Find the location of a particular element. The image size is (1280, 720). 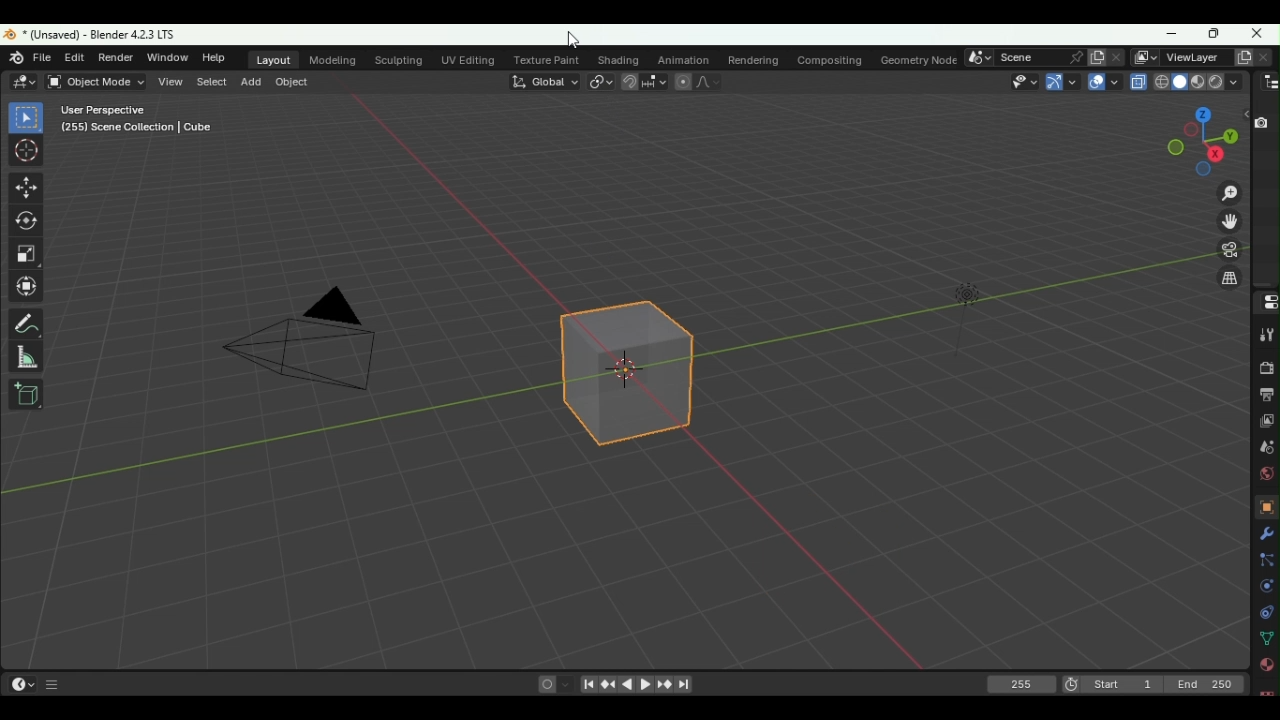

Play animation is located at coordinates (646, 685).